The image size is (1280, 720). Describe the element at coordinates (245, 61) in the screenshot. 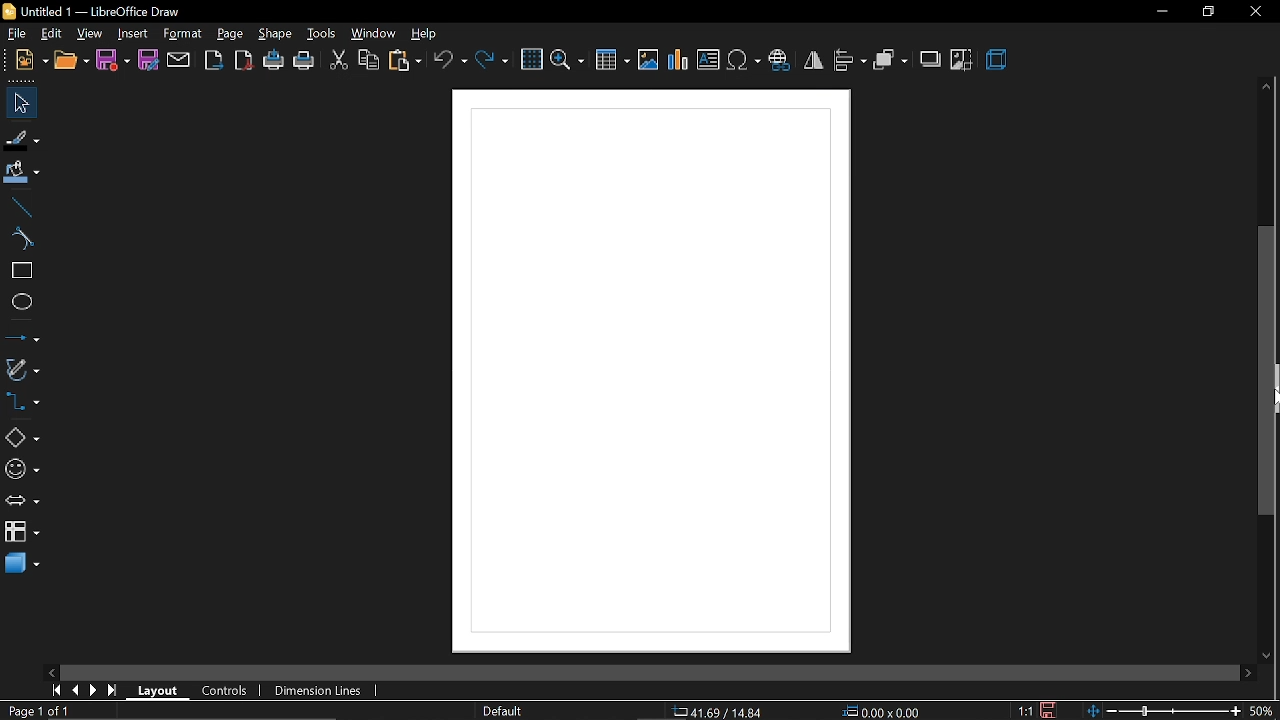

I see `export as pdf` at that location.